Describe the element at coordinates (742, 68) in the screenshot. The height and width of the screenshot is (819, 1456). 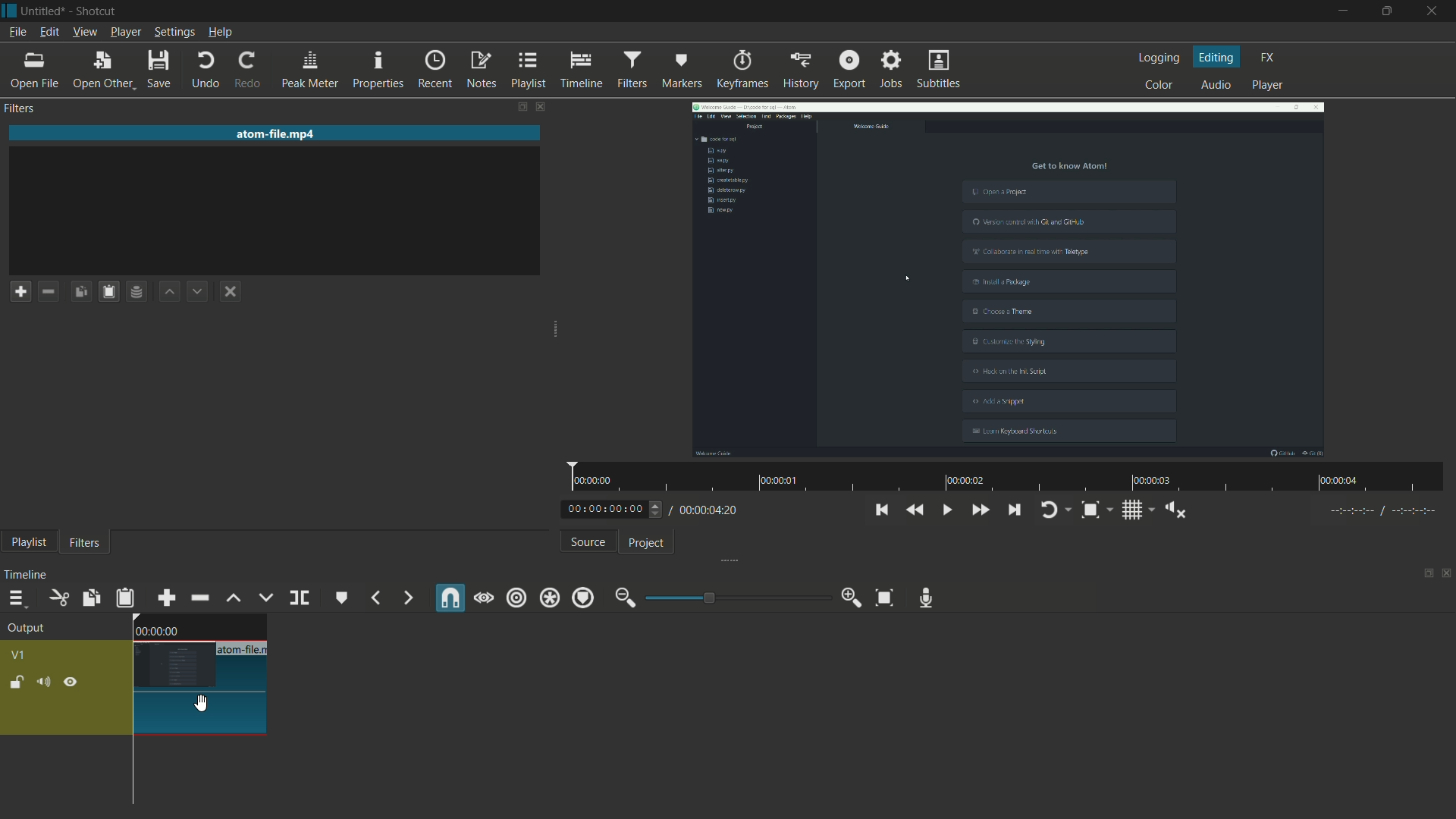
I see `keyframes` at that location.